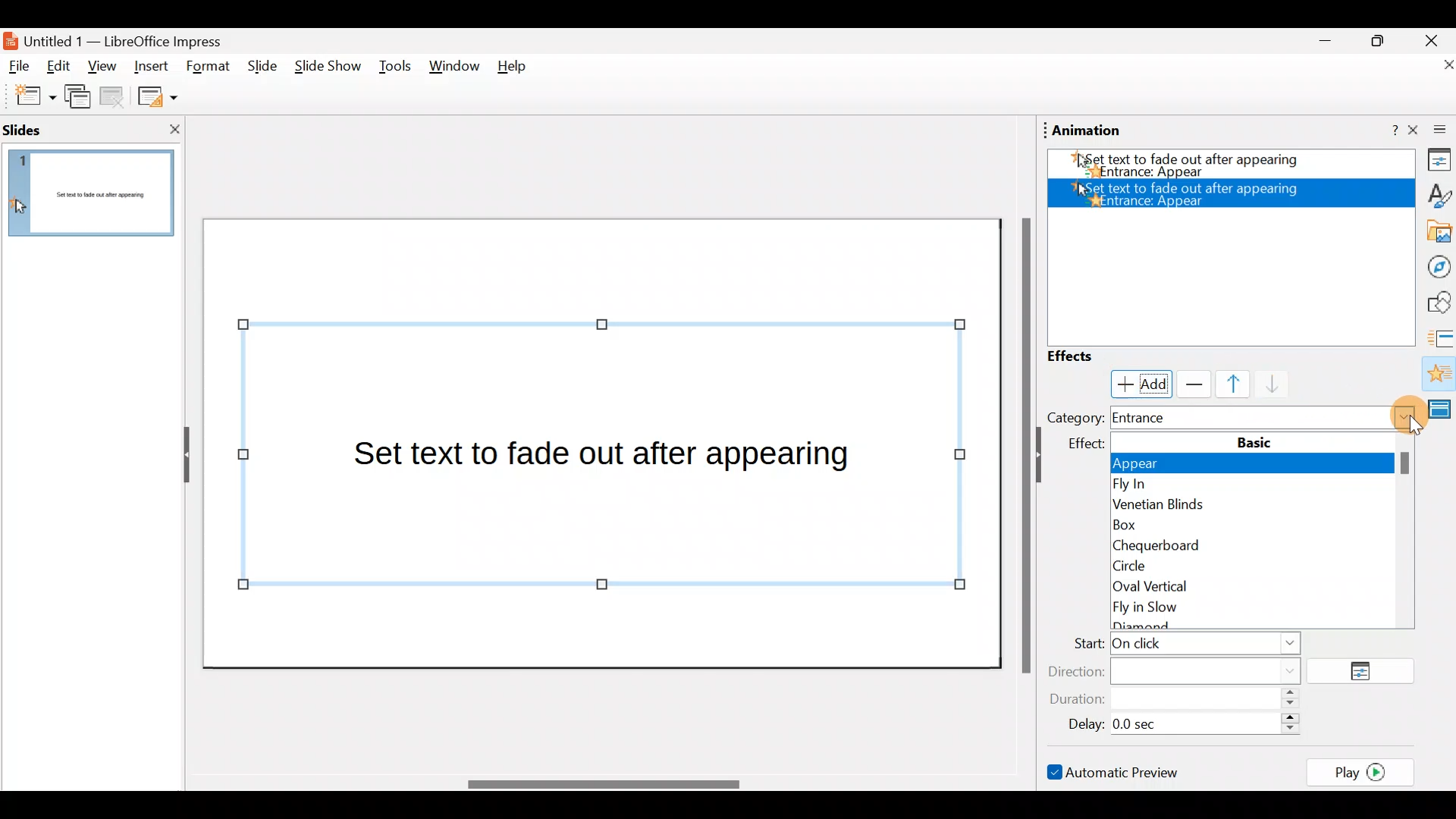 The image size is (1456, 819). I want to click on Window, so click(455, 70).